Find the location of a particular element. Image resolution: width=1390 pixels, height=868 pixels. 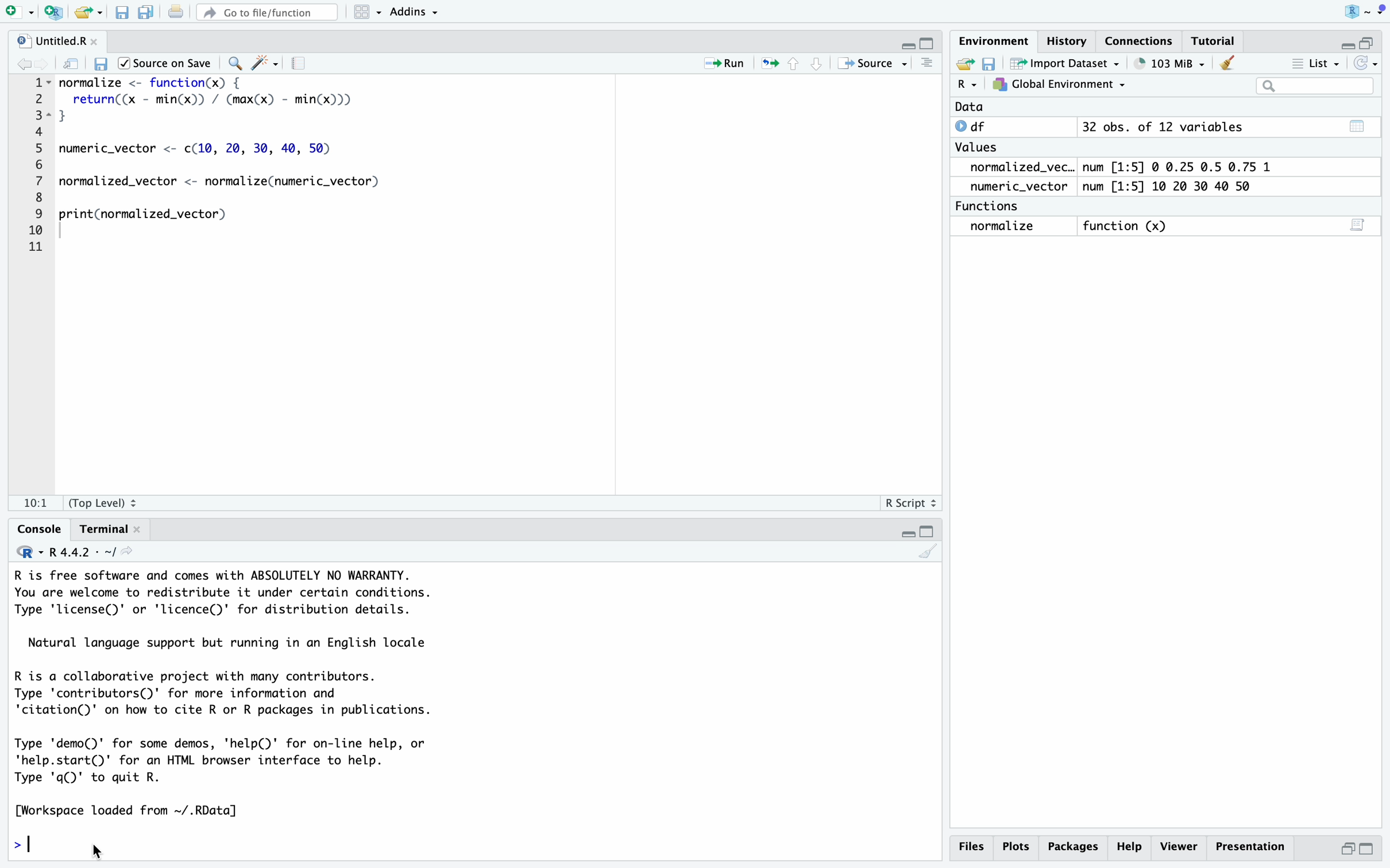

Maximize is located at coordinates (929, 533).